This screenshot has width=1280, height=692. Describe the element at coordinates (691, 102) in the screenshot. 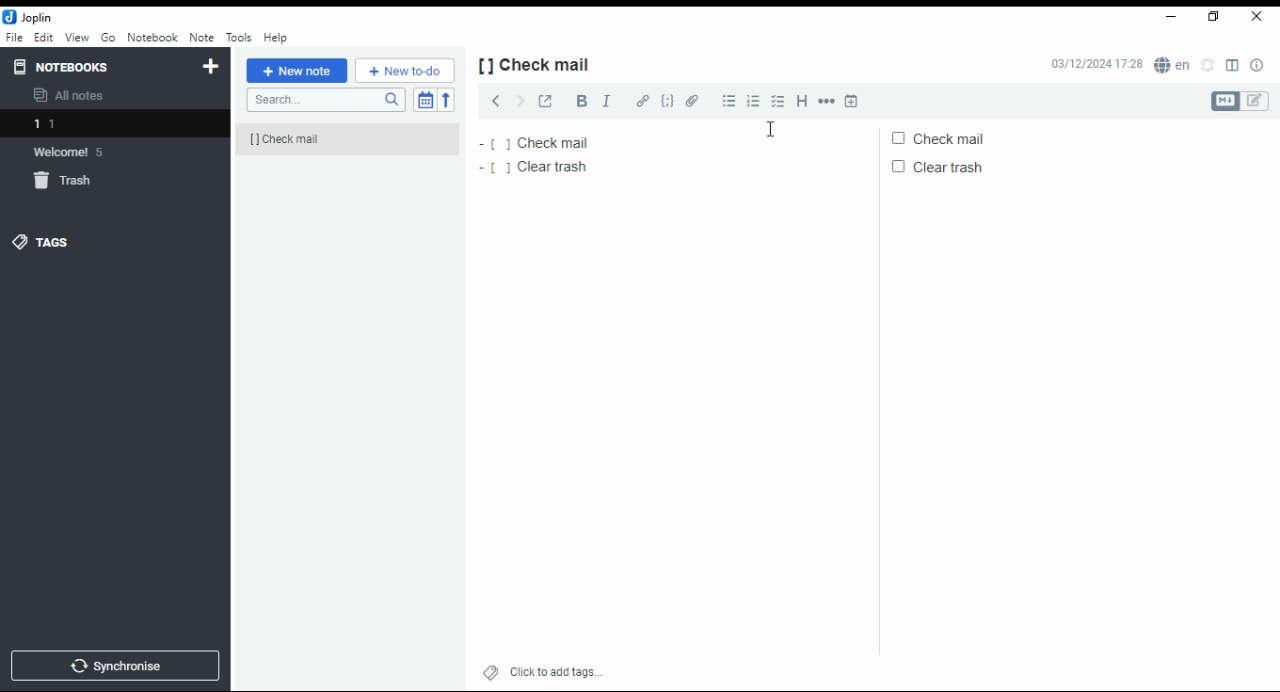

I see `attach file` at that location.